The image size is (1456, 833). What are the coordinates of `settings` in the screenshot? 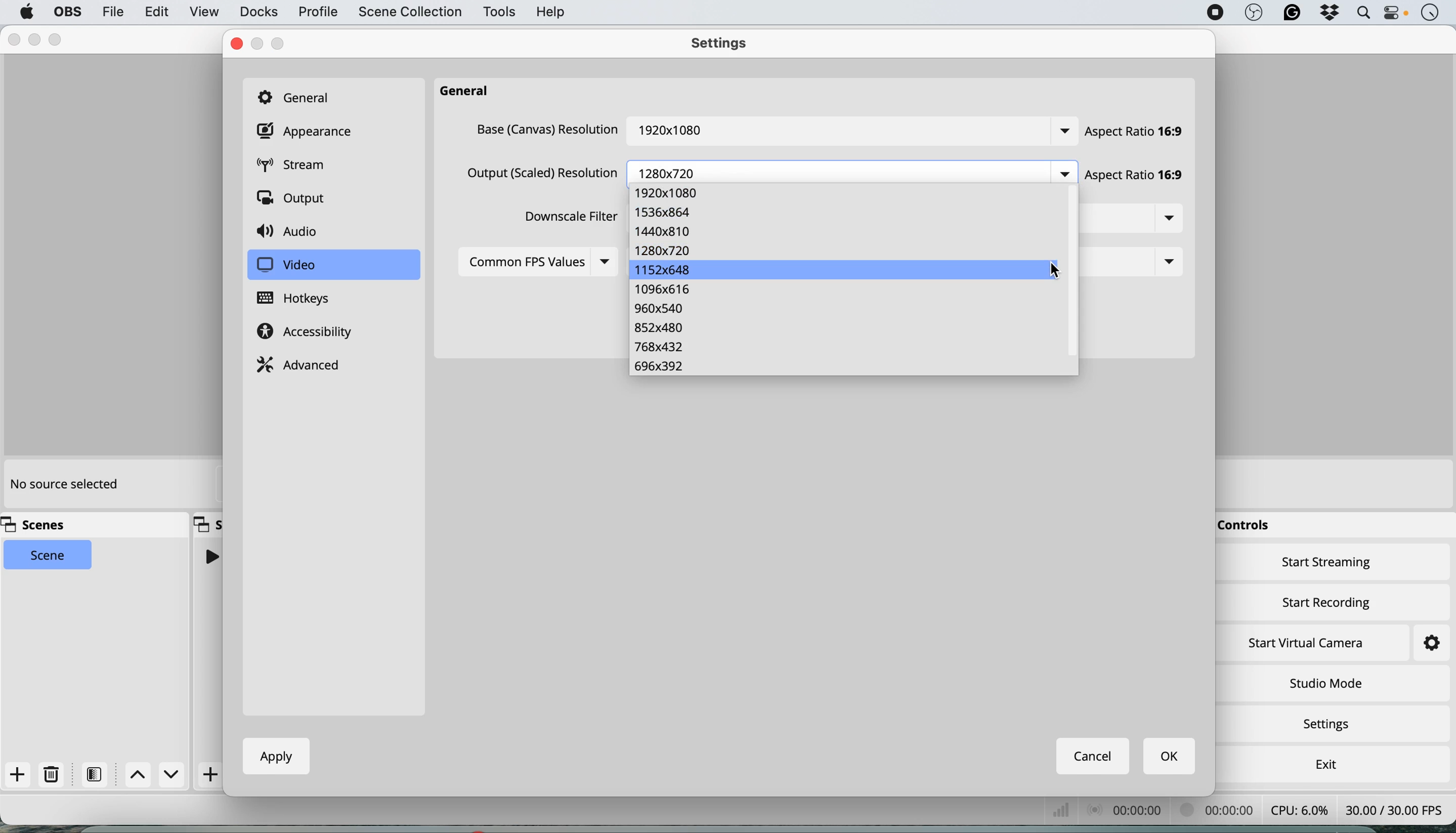 It's located at (1421, 644).